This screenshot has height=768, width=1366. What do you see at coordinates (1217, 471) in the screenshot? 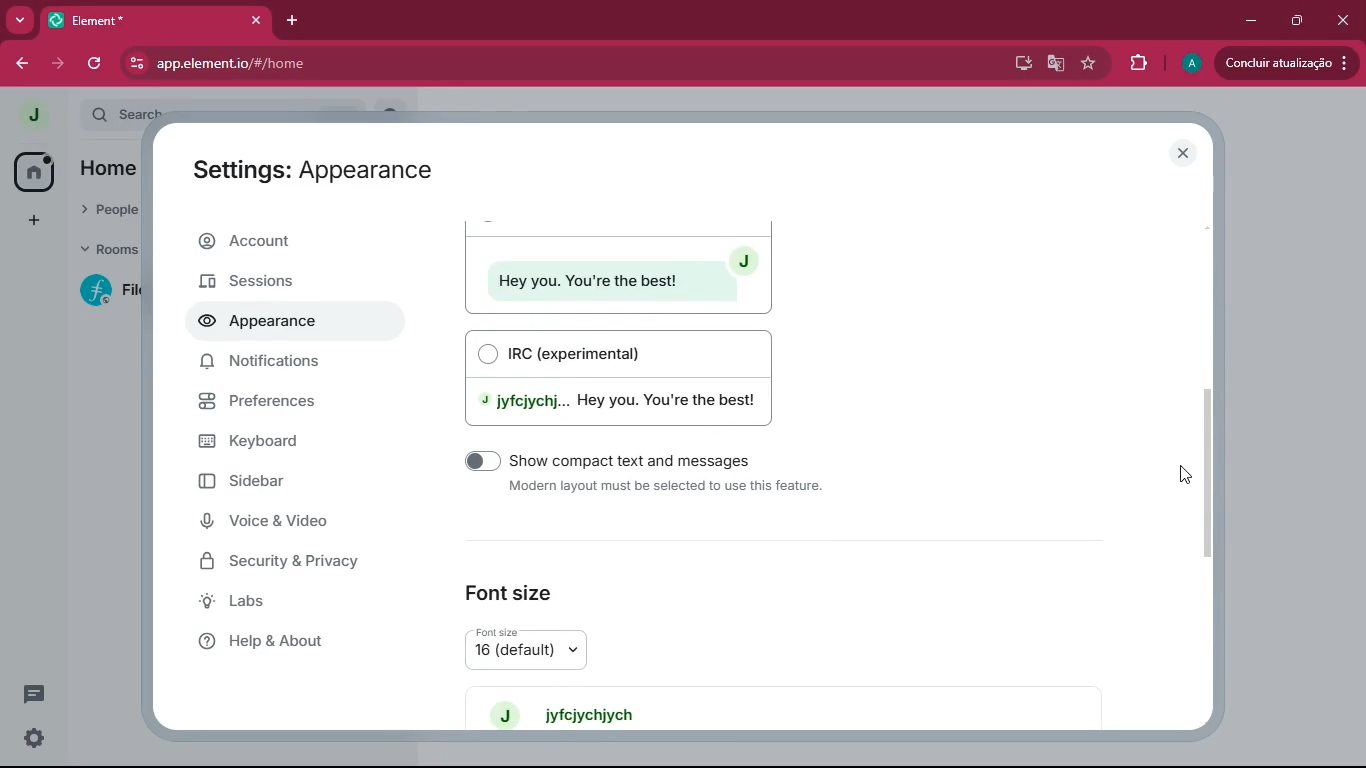
I see `scroll bar` at bounding box center [1217, 471].